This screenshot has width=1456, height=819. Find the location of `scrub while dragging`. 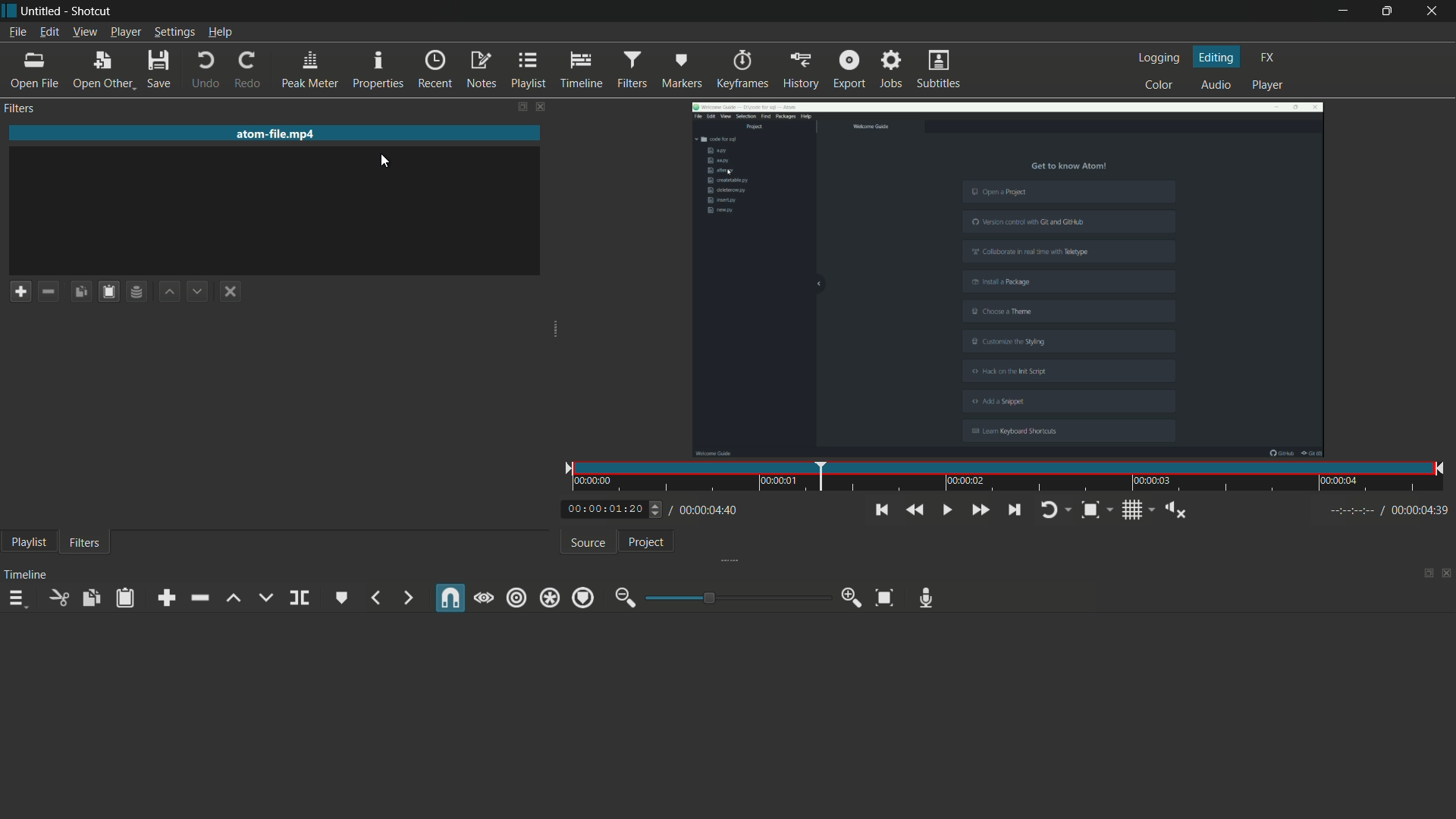

scrub while dragging is located at coordinates (485, 597).